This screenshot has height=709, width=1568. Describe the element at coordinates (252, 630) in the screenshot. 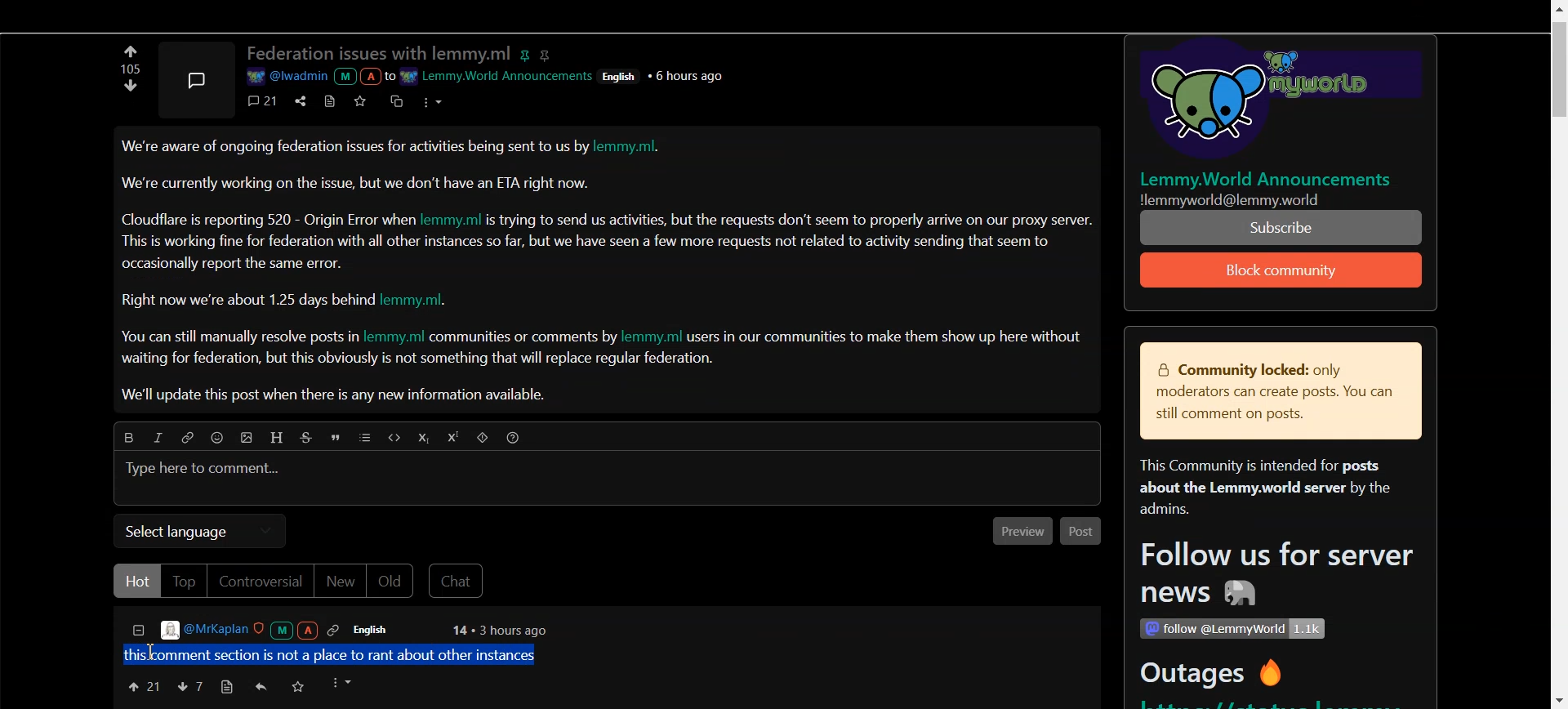

I see `@MrKaplan` at that location.